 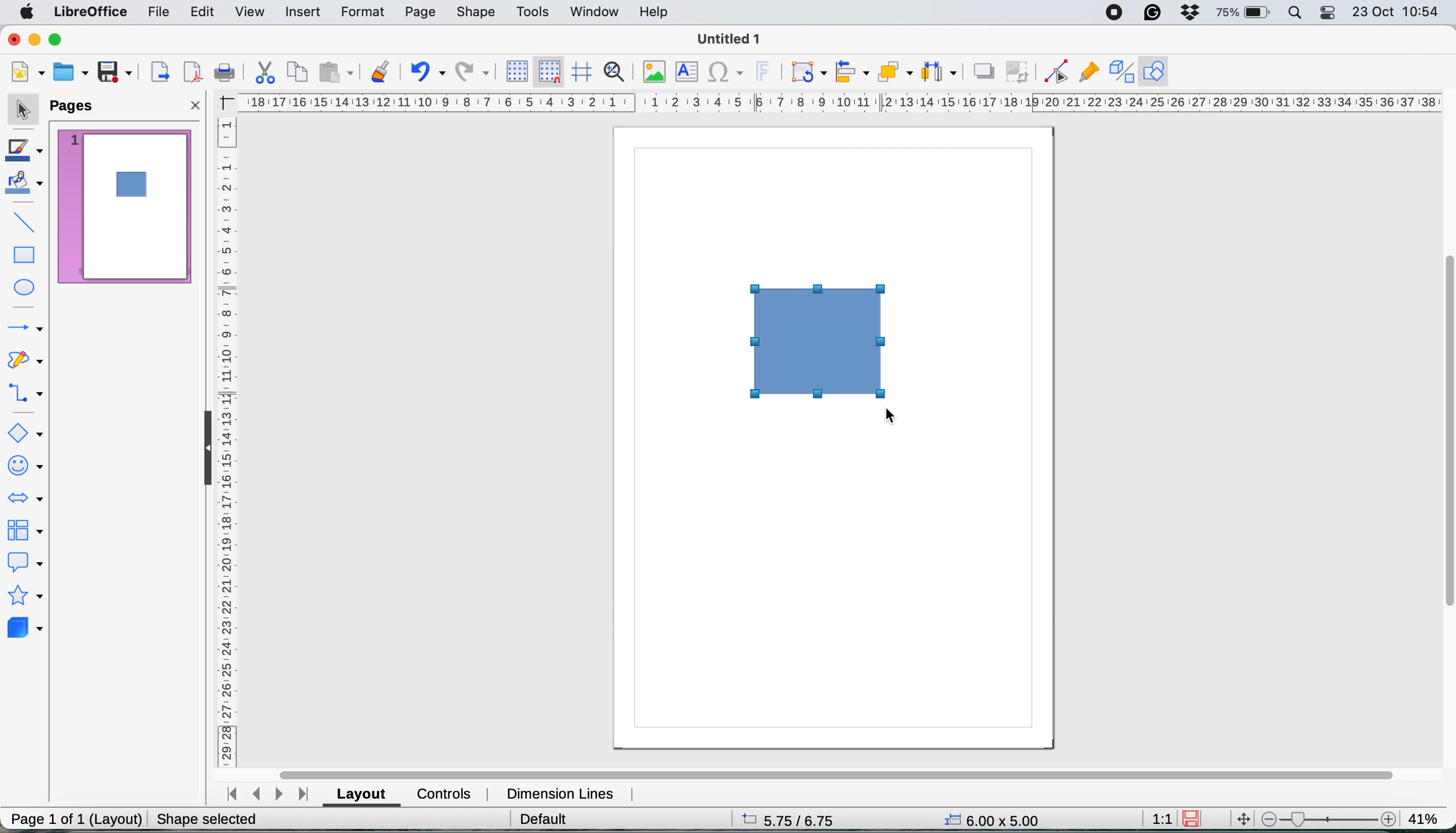 I want to click on undo, so click(x=426, y=73).